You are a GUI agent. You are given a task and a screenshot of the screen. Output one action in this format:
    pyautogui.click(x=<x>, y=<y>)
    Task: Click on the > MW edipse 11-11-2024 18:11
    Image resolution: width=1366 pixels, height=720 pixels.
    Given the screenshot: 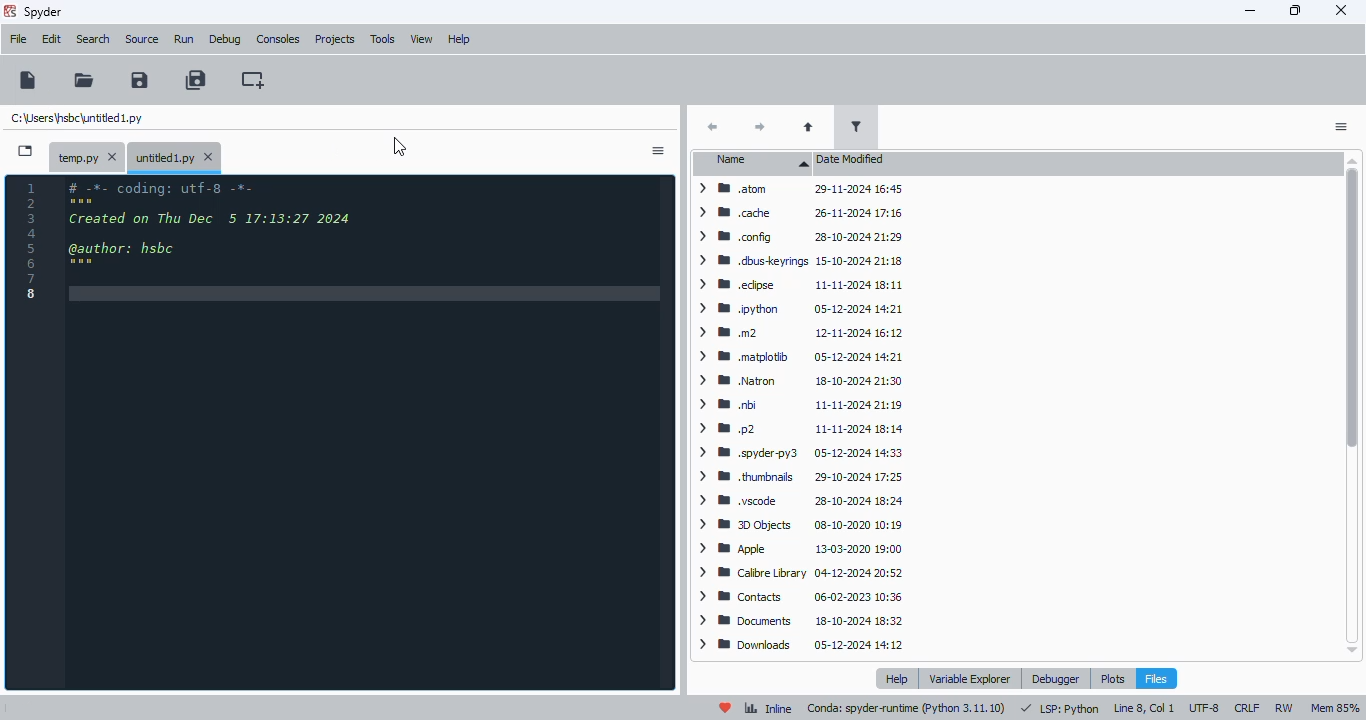 What is the action you would take?
    pyautogui.click(x=799, y=283)
    